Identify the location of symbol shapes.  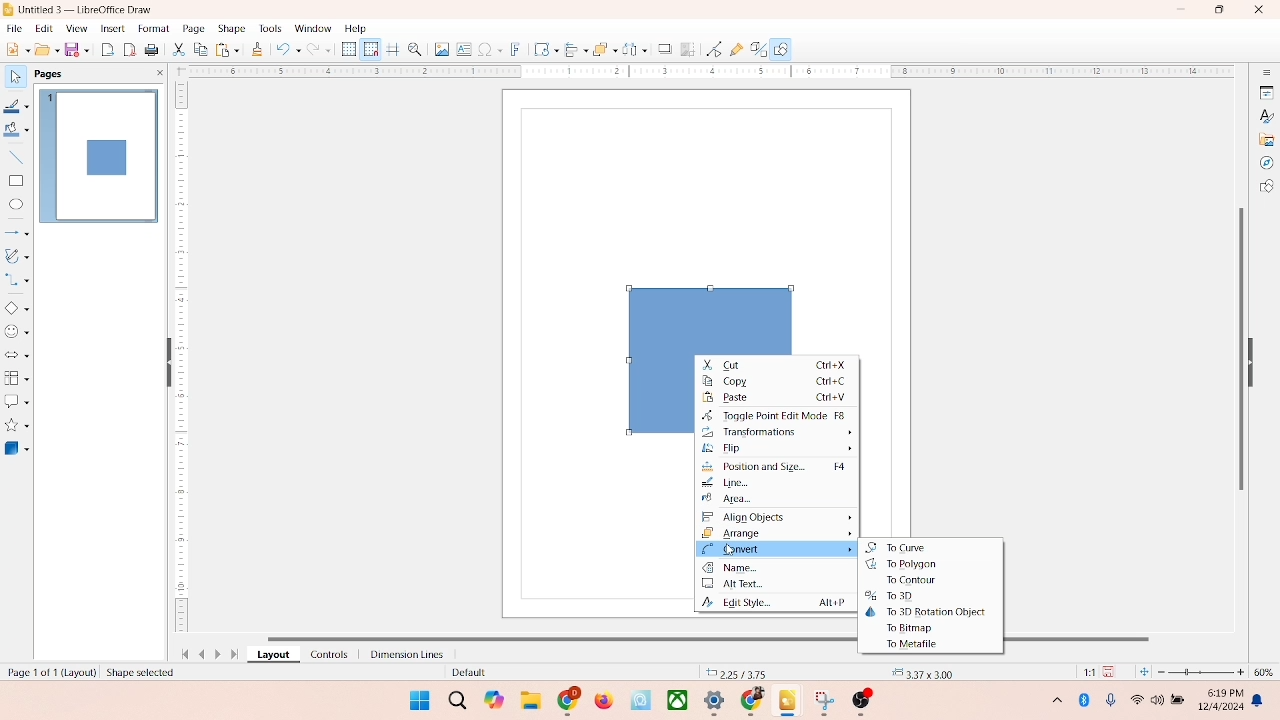
(17, 332).